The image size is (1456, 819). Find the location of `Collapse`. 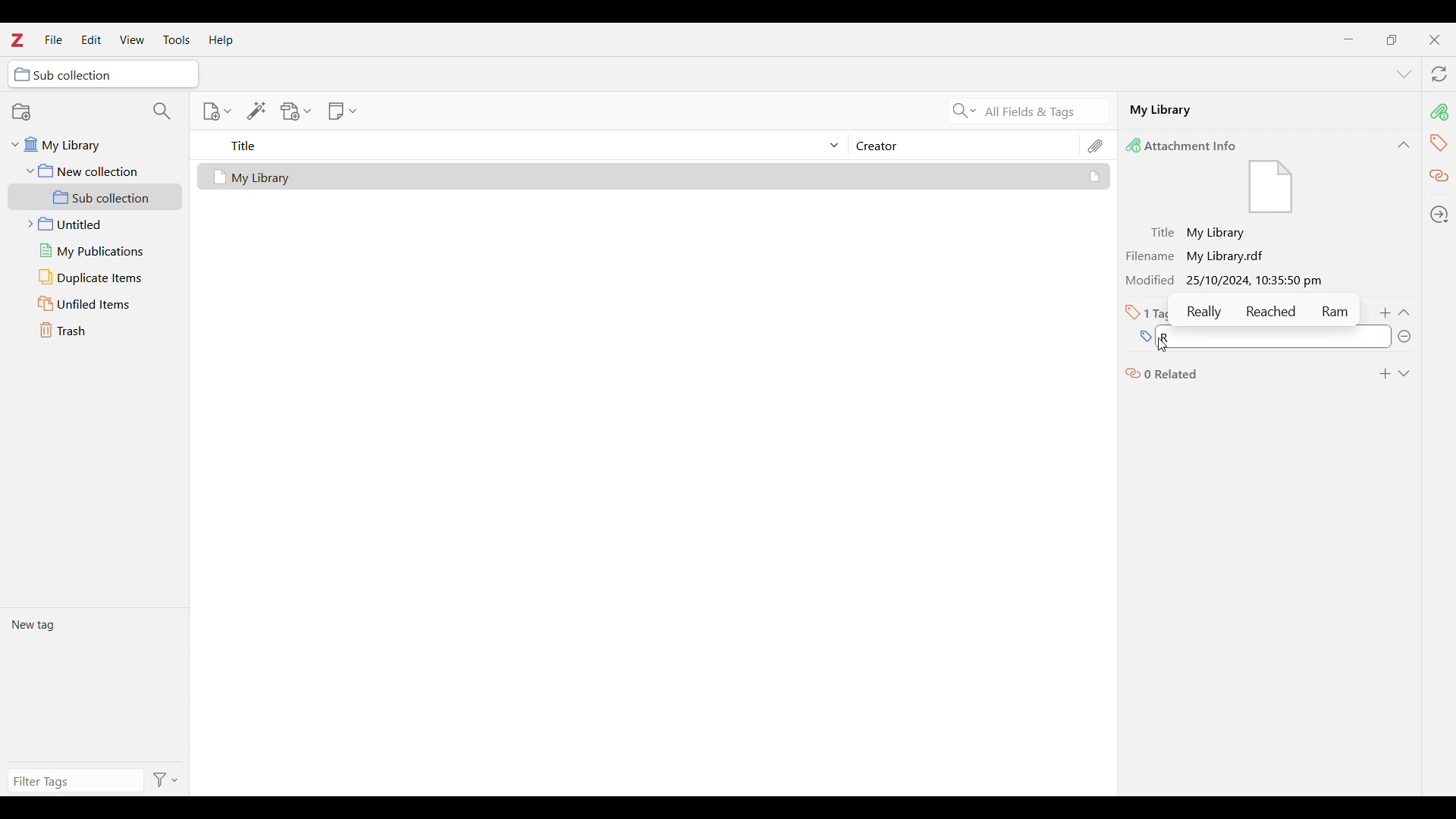

Collapse is located at coordinates (1404, 145).